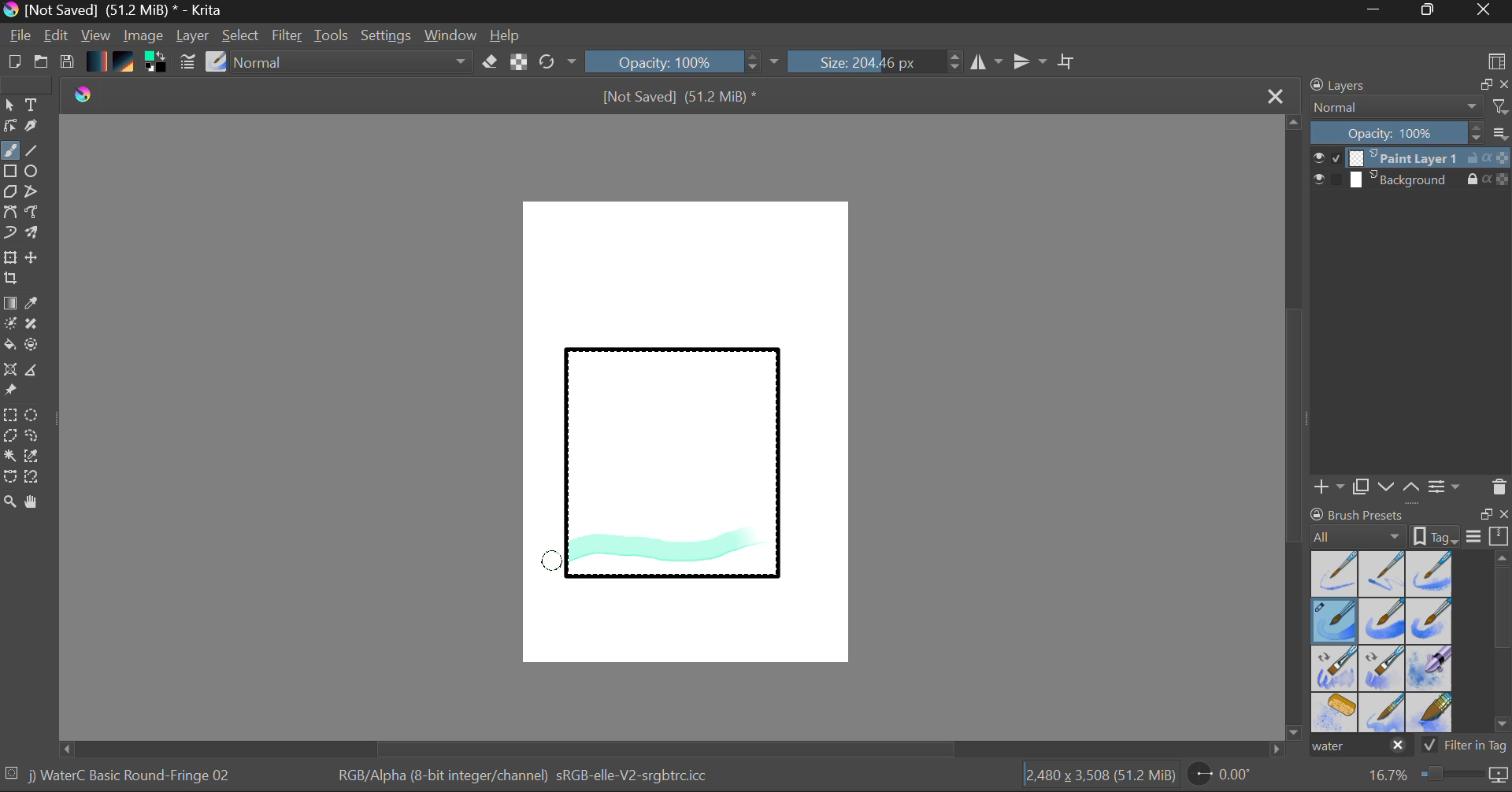  I want to click on Paintbrush, so click(9, 152).